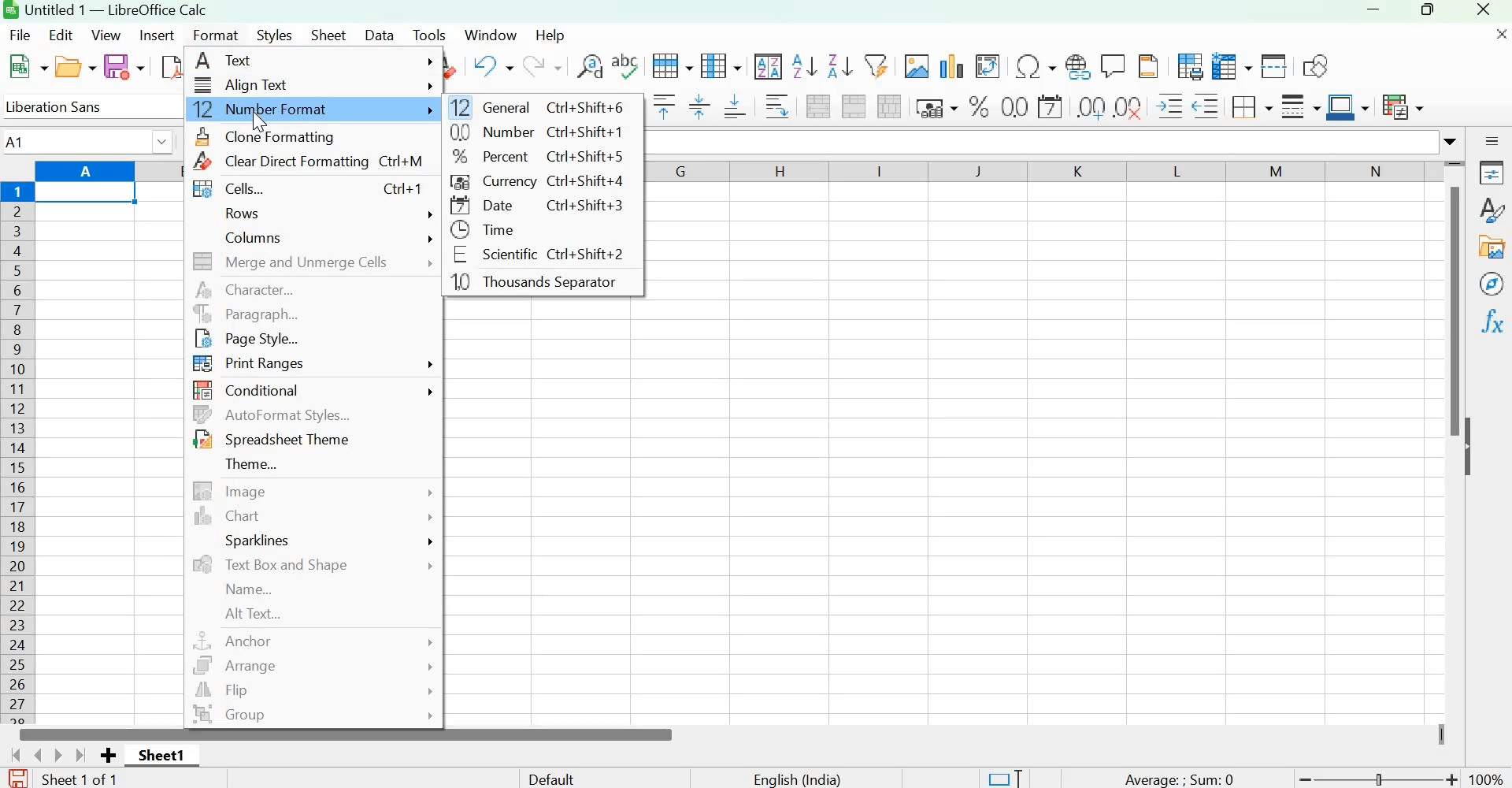  I want to click on Styles, so click(274, 36).